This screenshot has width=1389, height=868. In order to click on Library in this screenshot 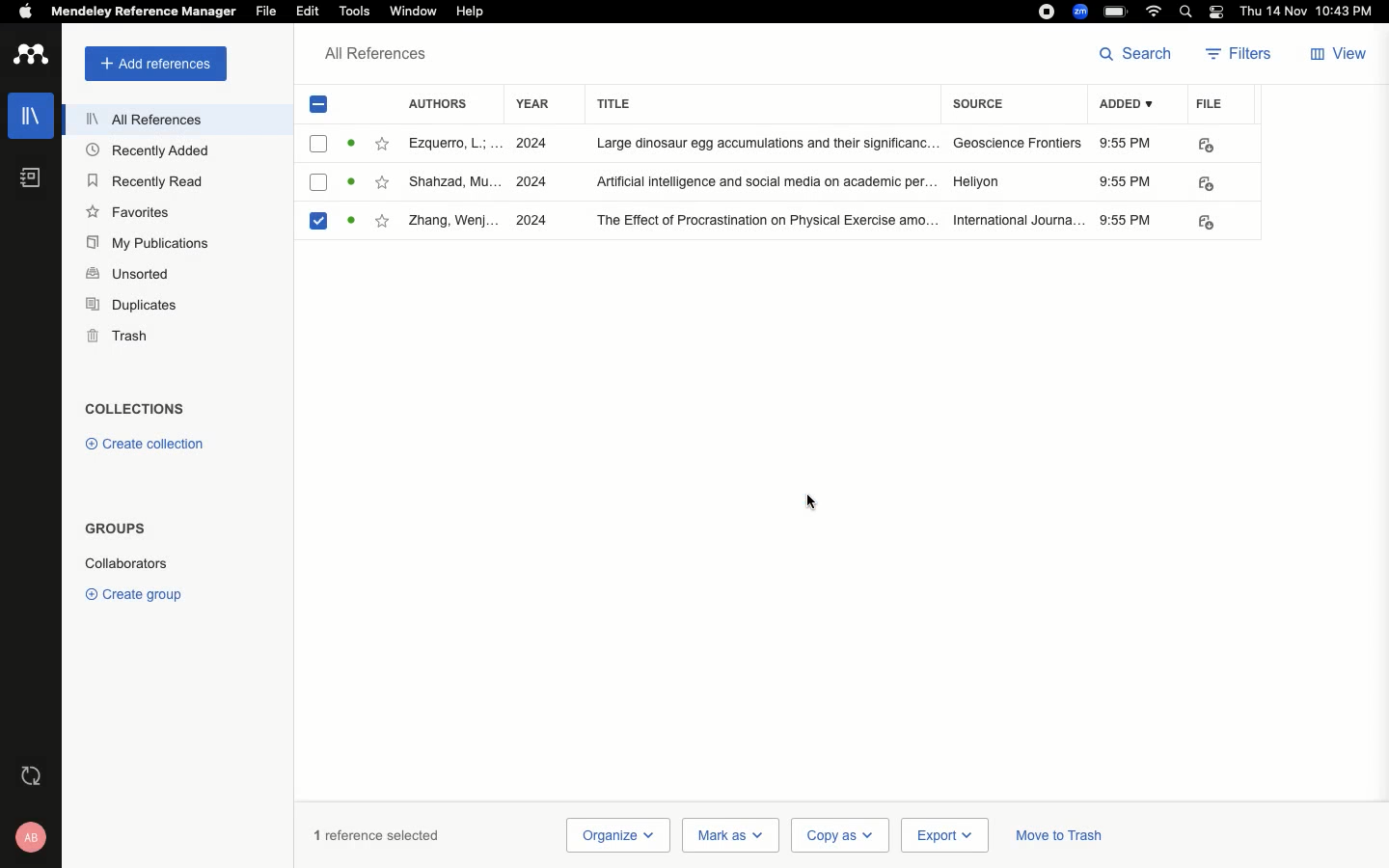, I will do `click(32, 111)`.